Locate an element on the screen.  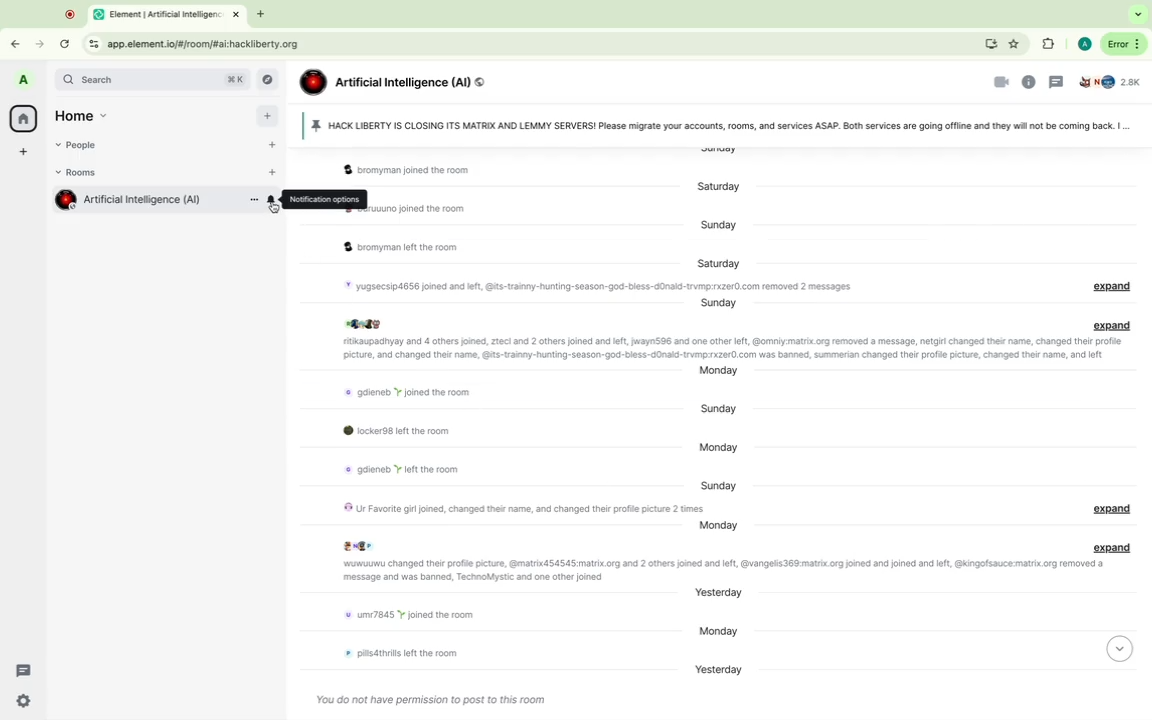
Tabs is located at coordinates (154, 15).